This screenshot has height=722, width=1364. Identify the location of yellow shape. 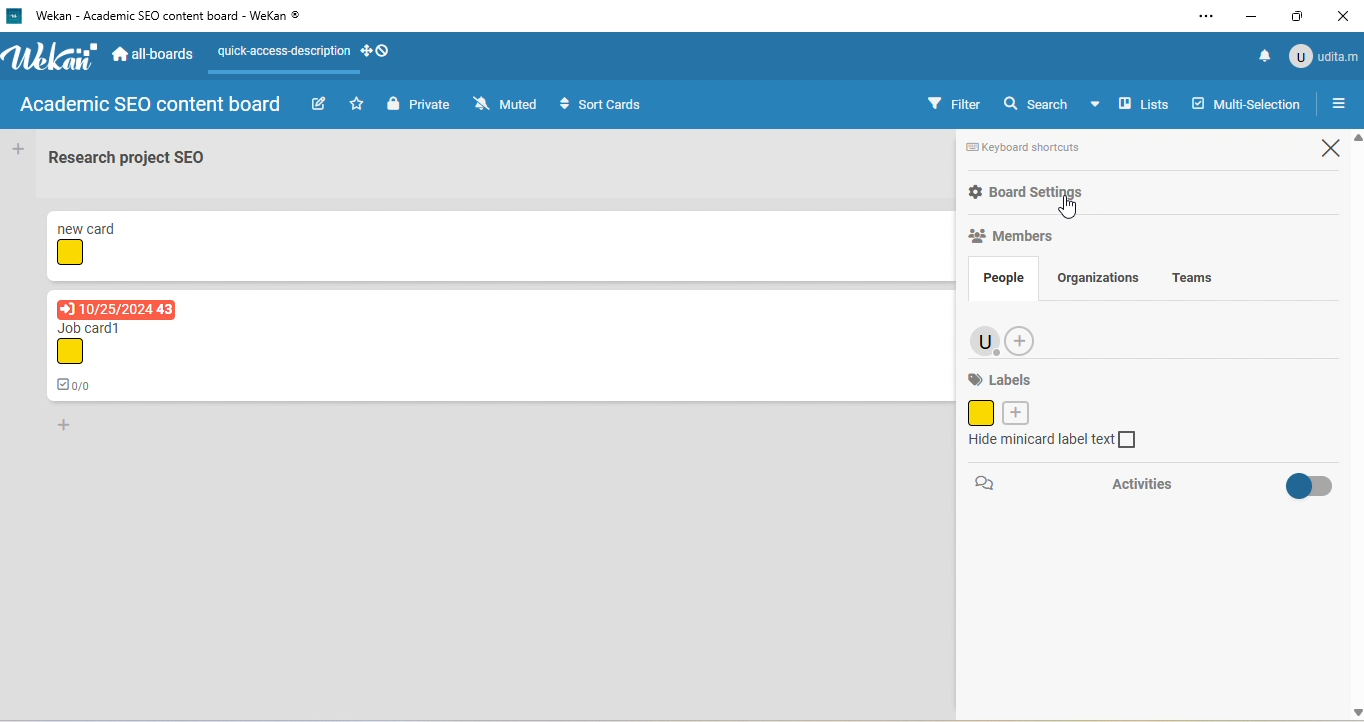
(72, 352).